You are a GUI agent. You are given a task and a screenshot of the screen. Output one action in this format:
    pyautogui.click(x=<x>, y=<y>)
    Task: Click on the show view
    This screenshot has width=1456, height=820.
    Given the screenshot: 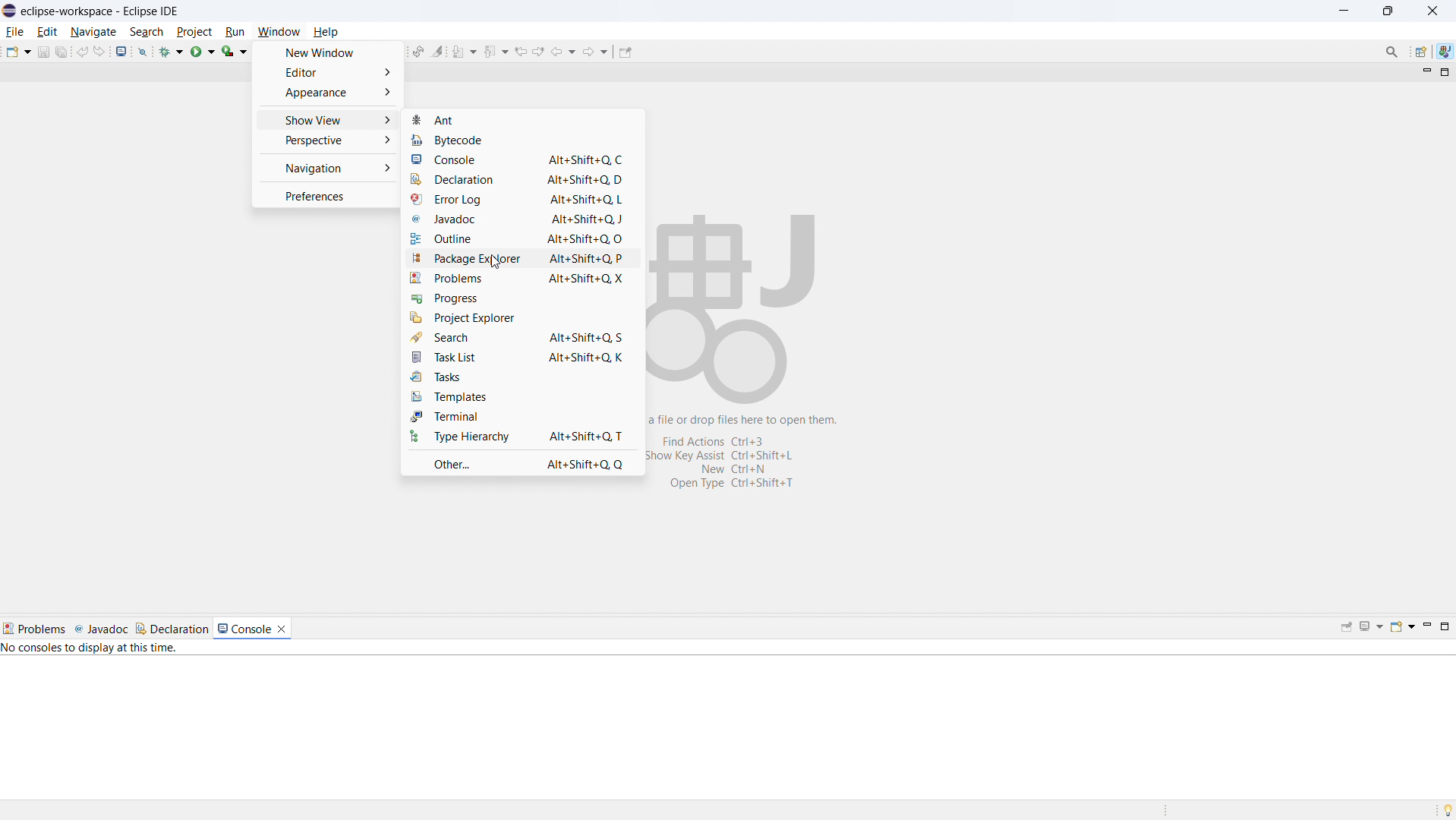 What is the action you would take?
    pyautogui.click(x=326, y=120)
    